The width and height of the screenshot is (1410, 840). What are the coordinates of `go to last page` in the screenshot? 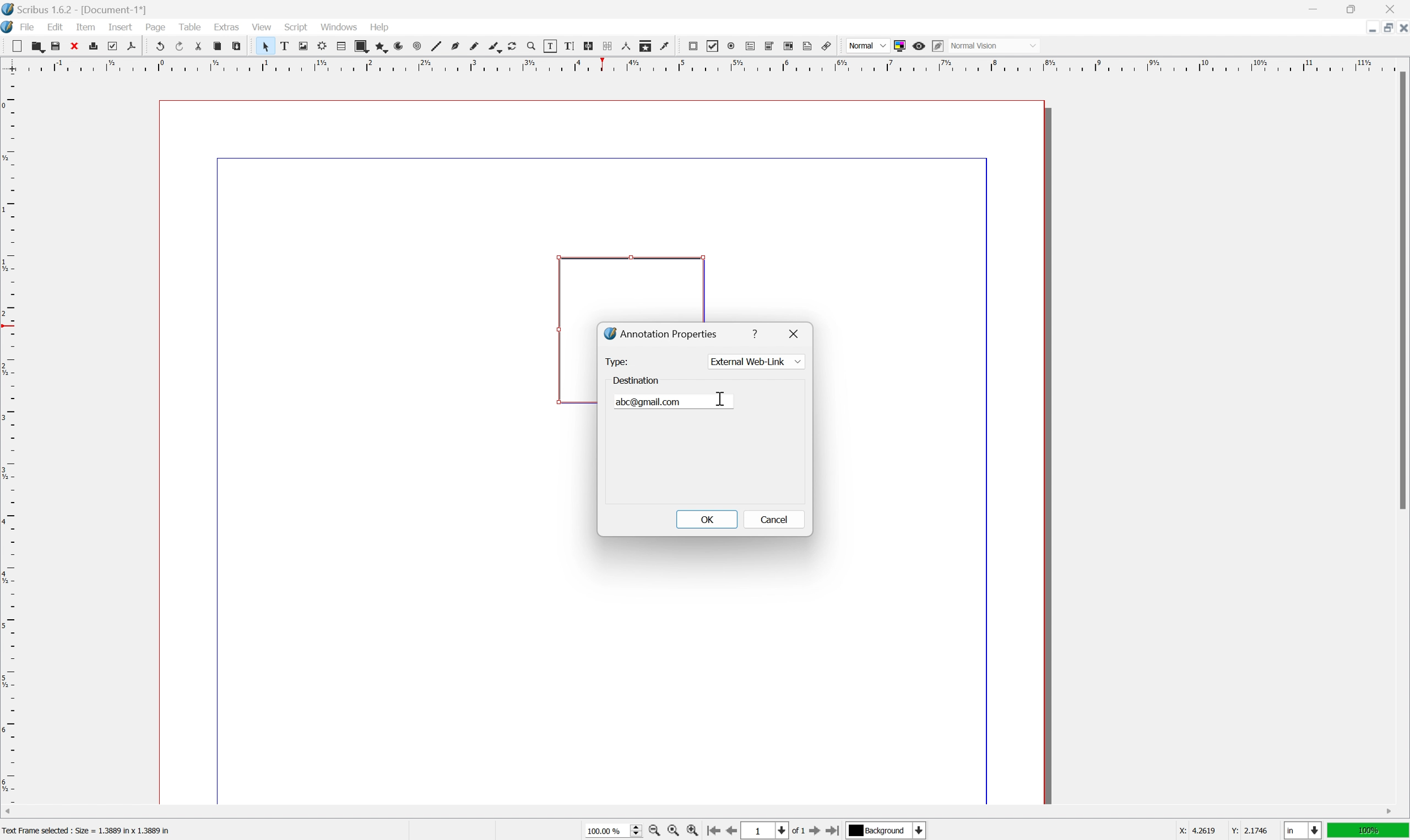 It's located at (835, 830).